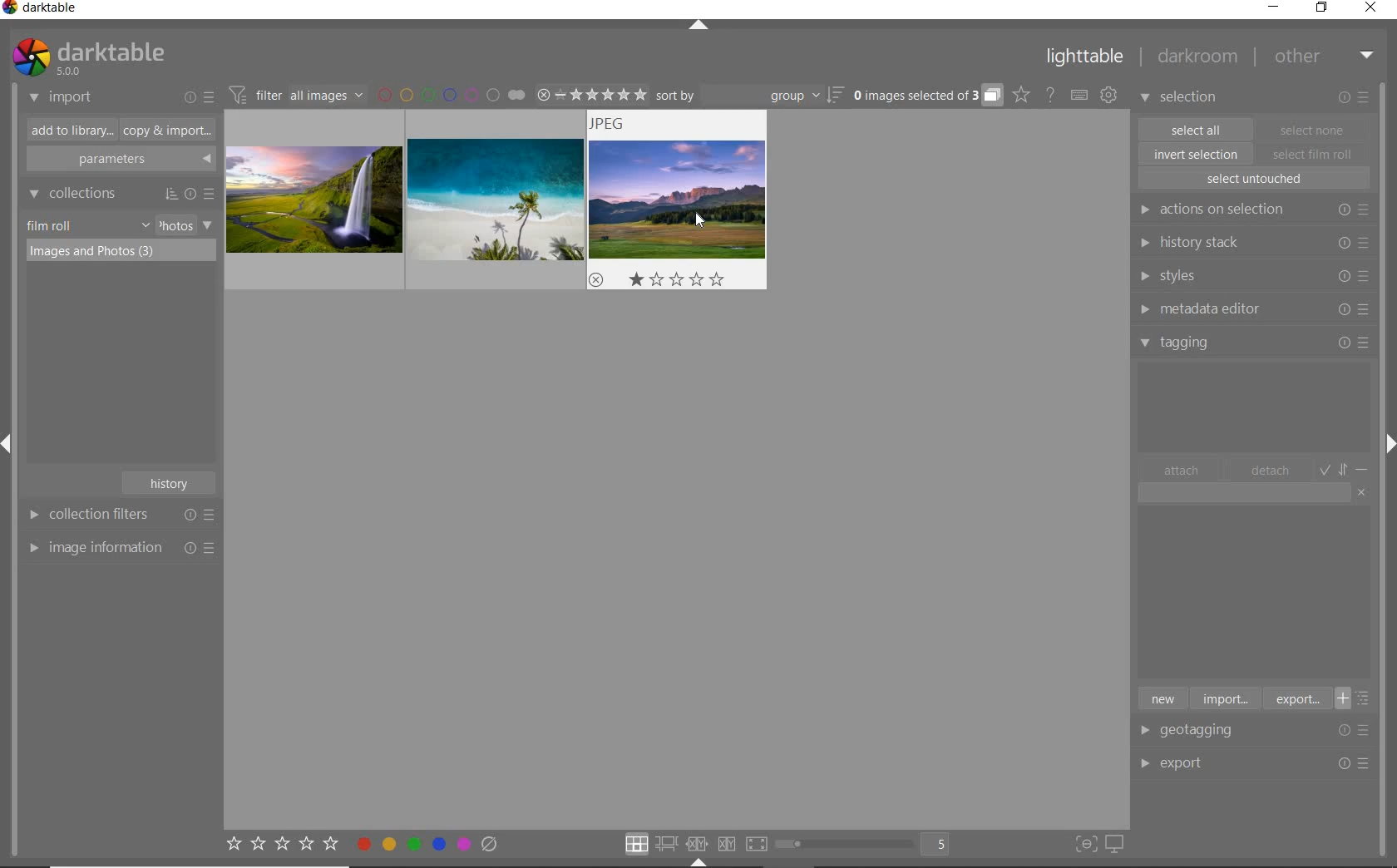  Describe the element at coordinates (119, 194) in the screenshot. I see `collections` at that location.